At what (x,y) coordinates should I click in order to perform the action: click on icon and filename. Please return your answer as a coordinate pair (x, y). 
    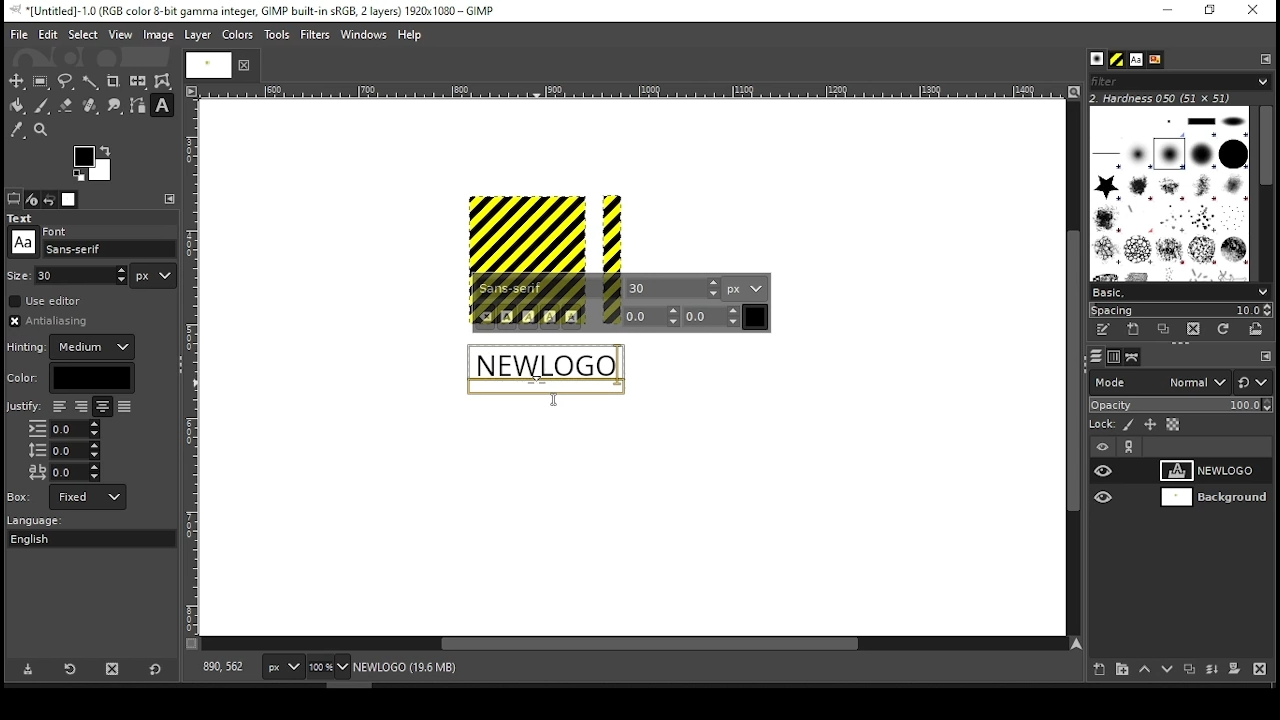
    Looking at the image, I should click on (252, 9).